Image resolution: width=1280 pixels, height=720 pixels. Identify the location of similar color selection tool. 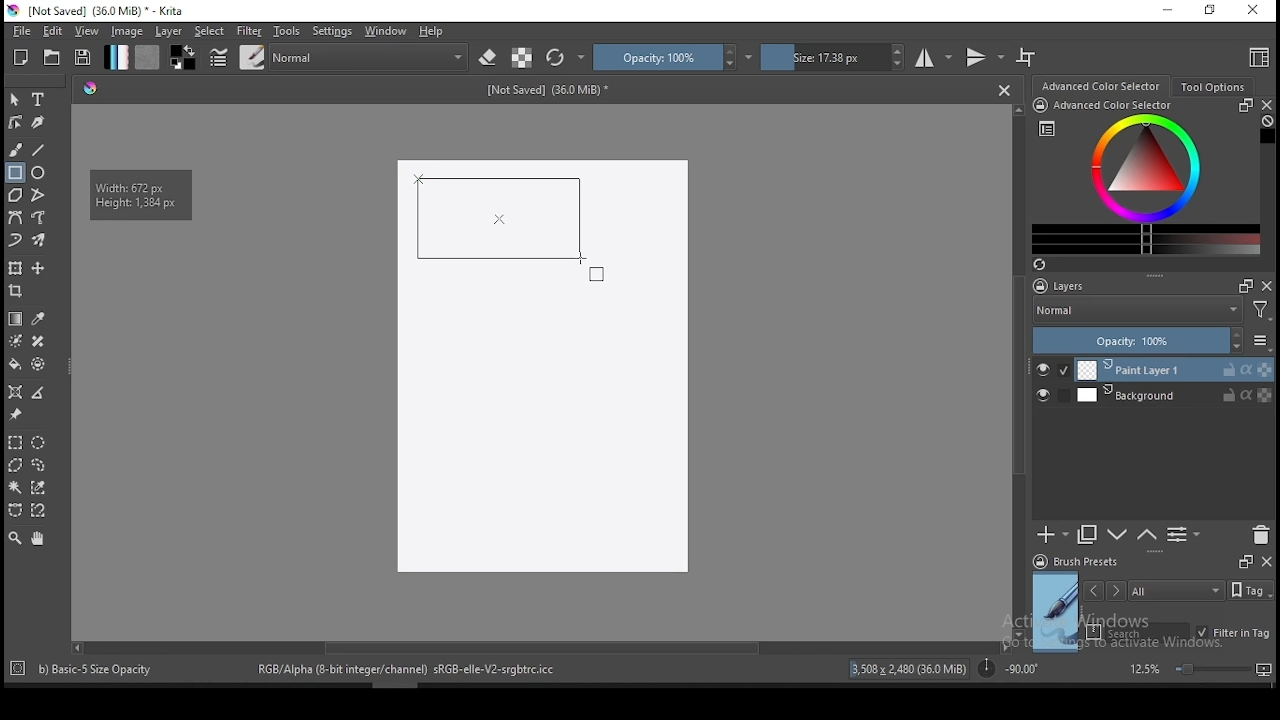
(41, 487).